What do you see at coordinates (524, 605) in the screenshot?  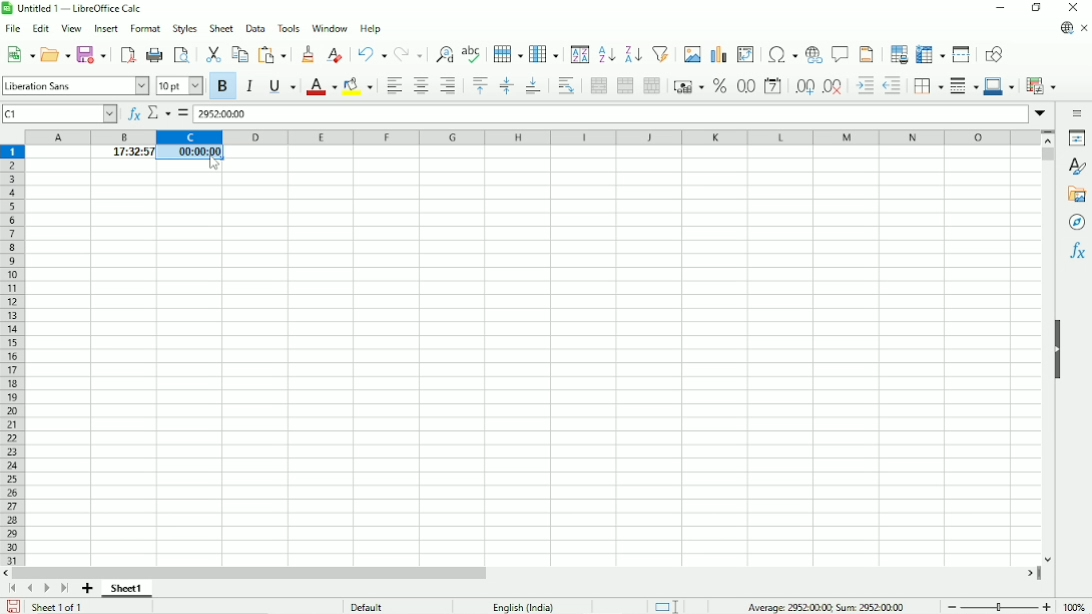 I see `English (India)` at bounding box center [524, 605].